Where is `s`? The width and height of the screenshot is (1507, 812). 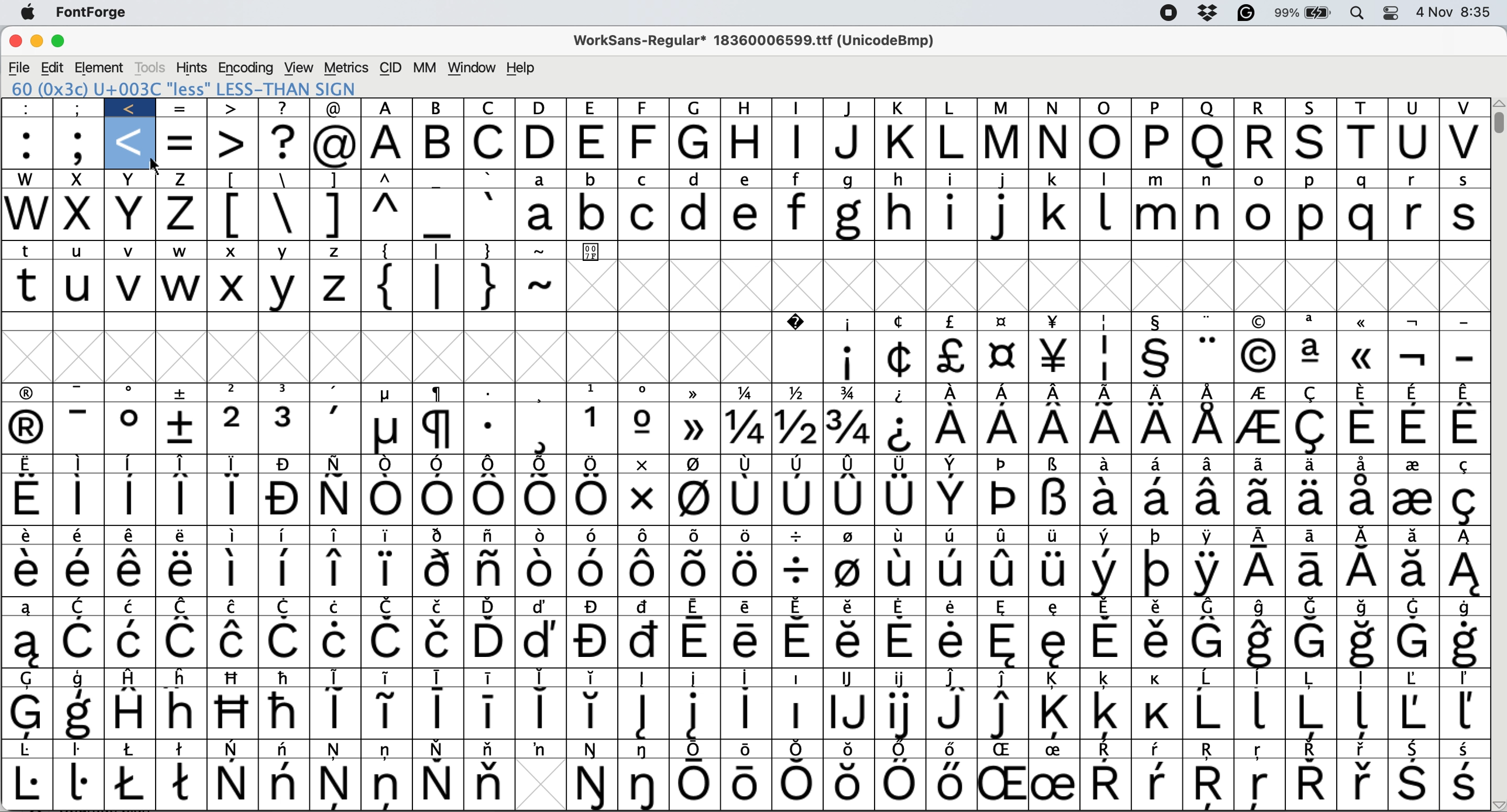
s is located at coordinates (1464, 181).